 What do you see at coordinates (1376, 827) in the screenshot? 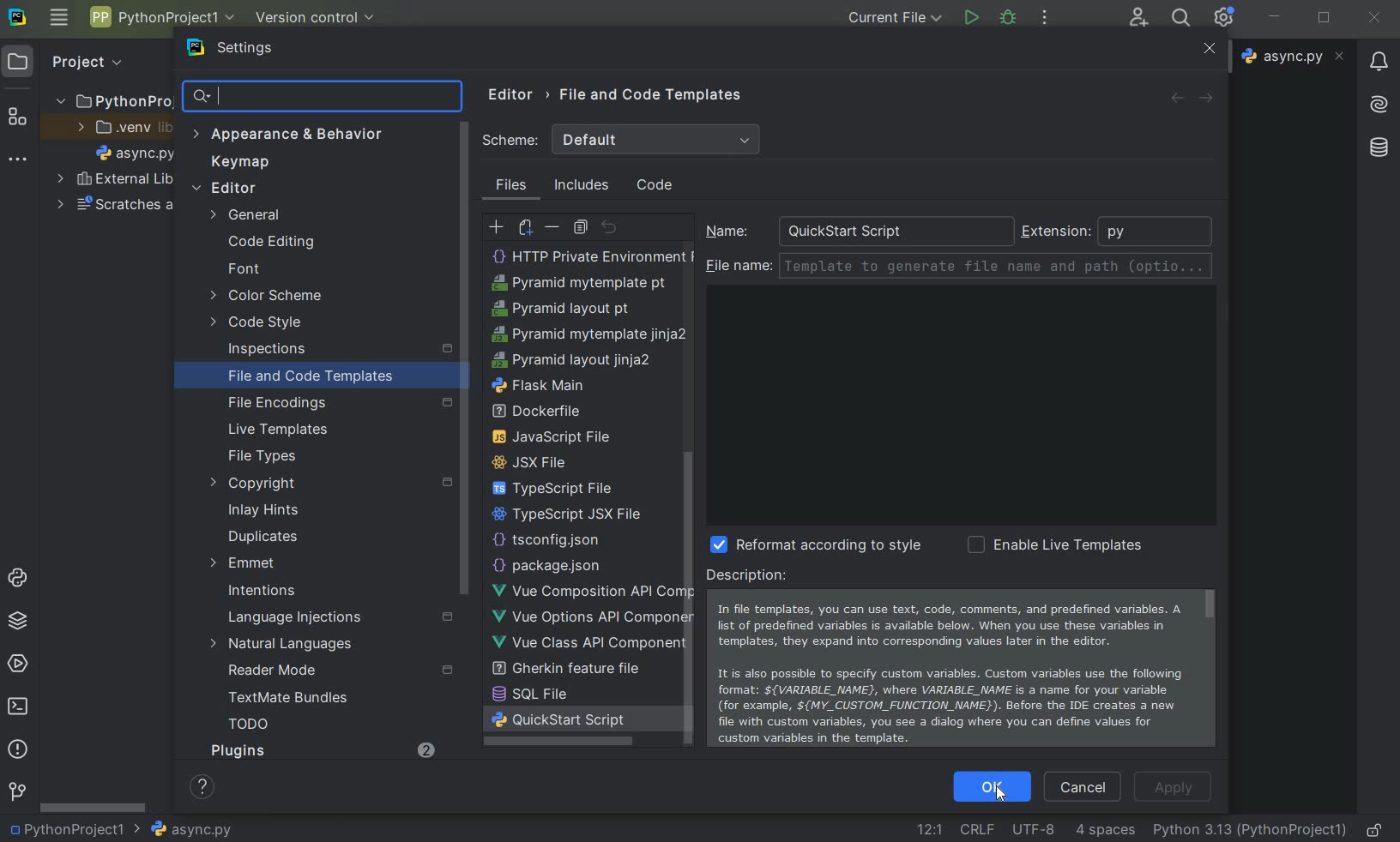
I see `make file ready only` at bounding box center [1376, 827].